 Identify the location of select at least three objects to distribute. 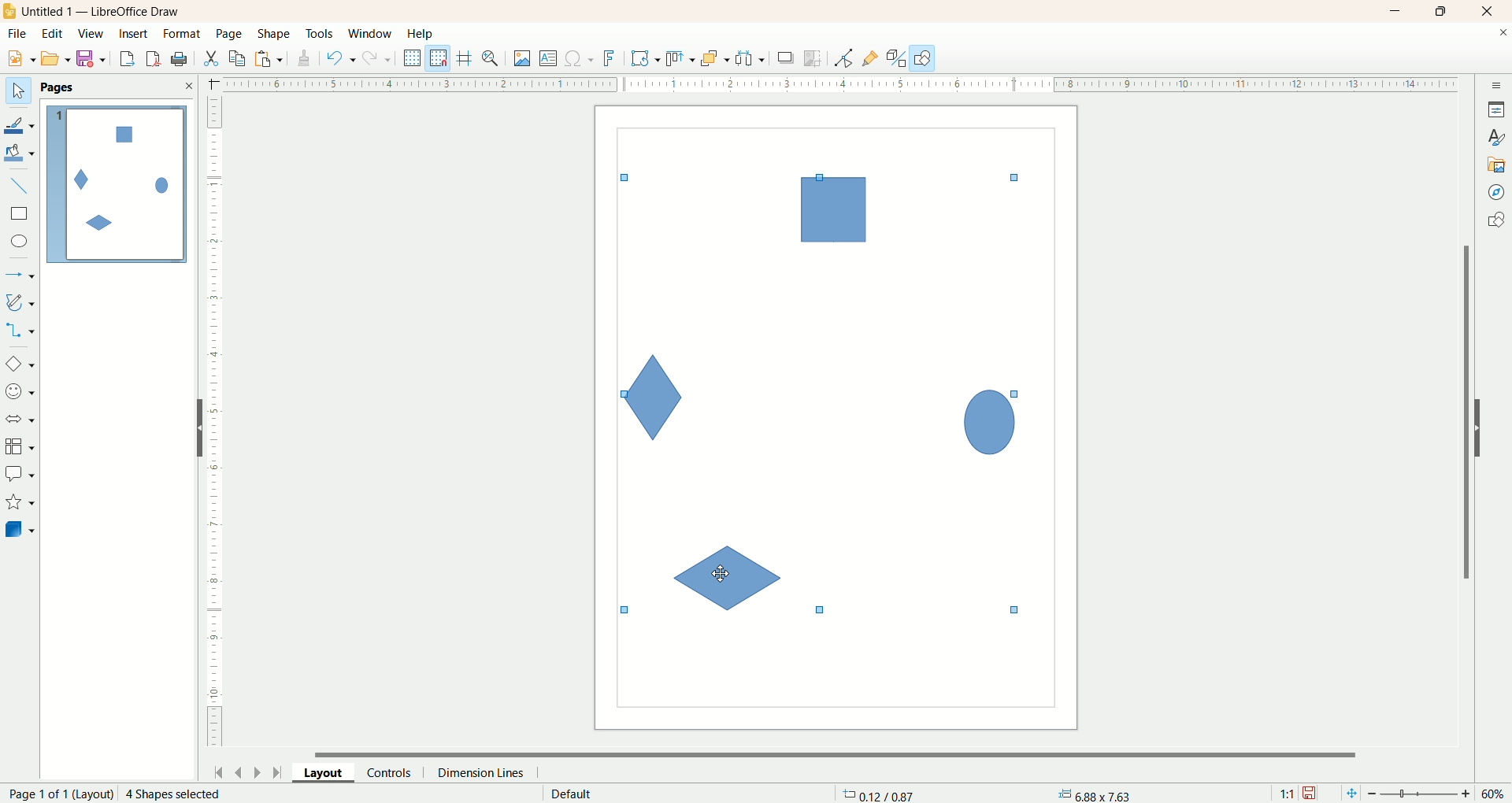
(751, 58).